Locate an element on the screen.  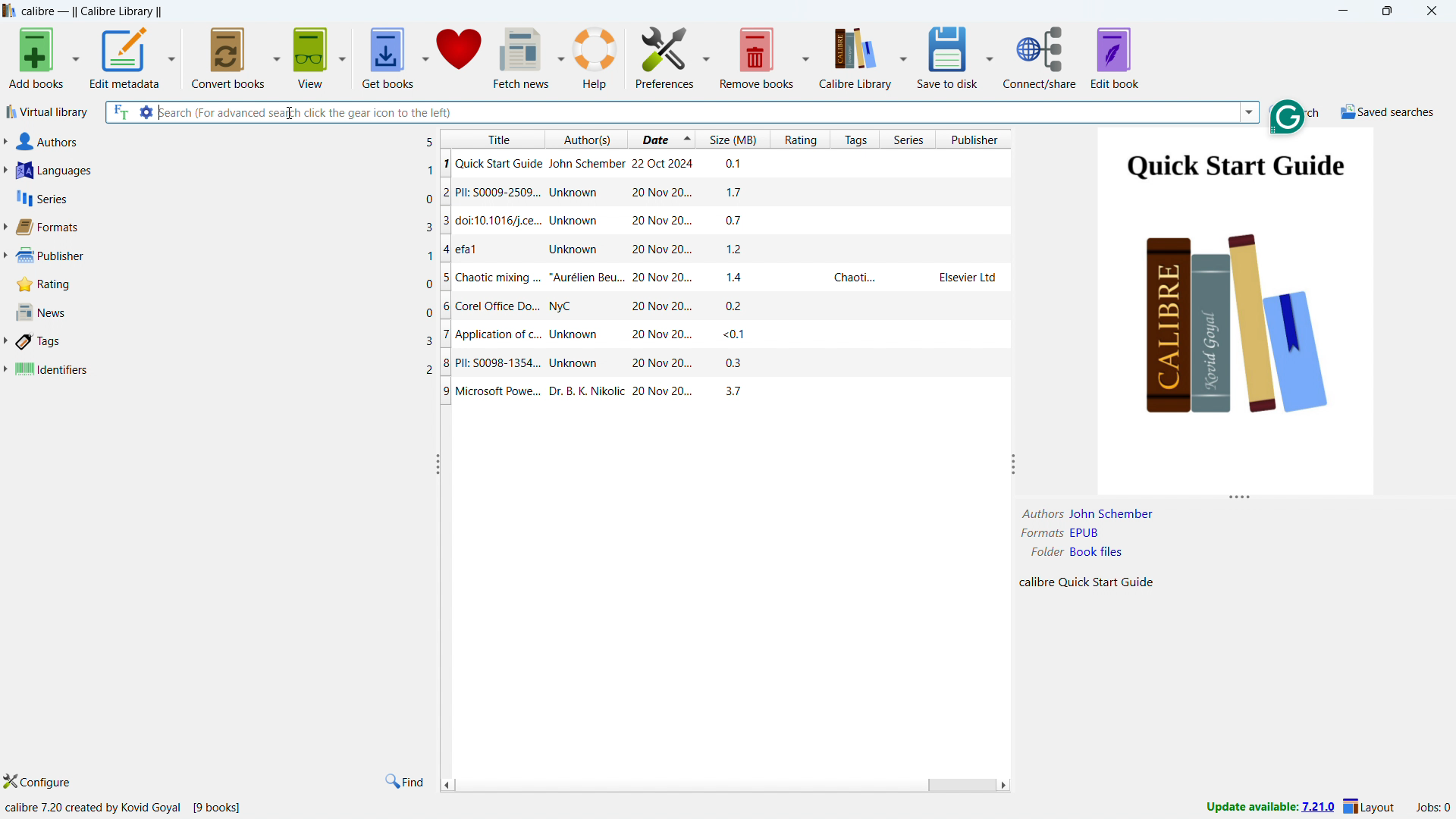
view options is located at coordinates (342, 56).